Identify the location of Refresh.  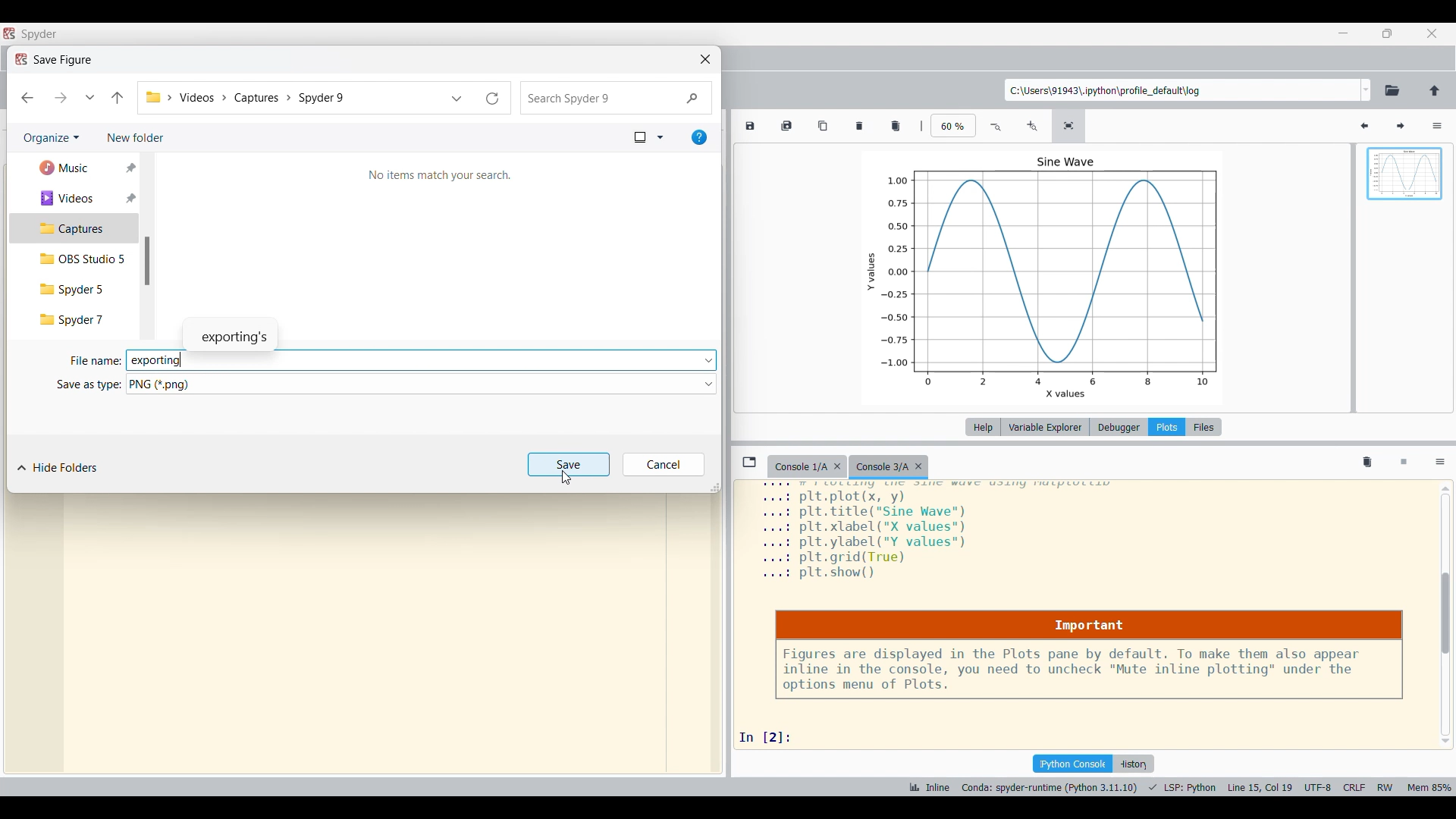
(494, 98).